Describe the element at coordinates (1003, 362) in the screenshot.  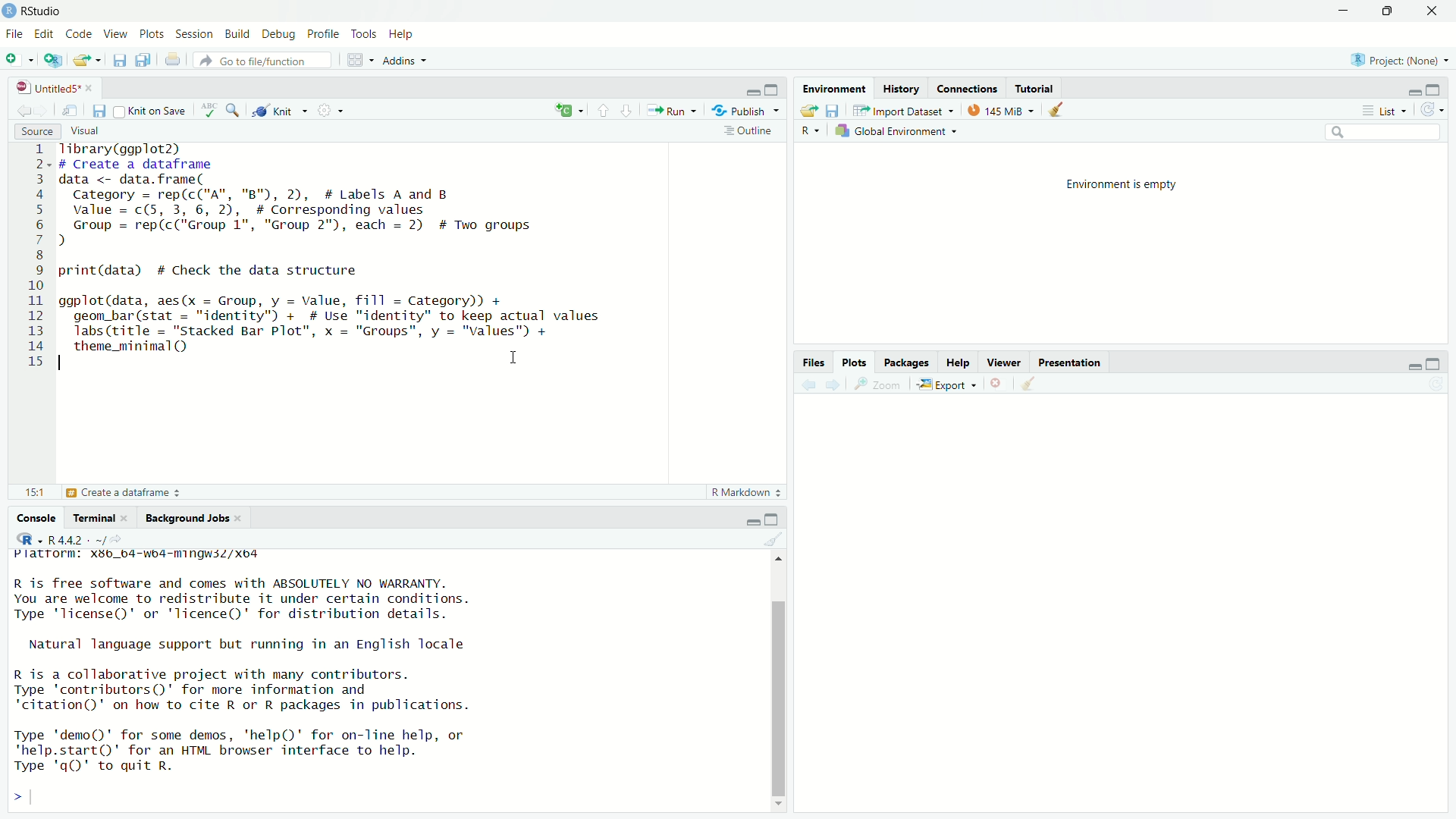
I see `Viewer` at that location.